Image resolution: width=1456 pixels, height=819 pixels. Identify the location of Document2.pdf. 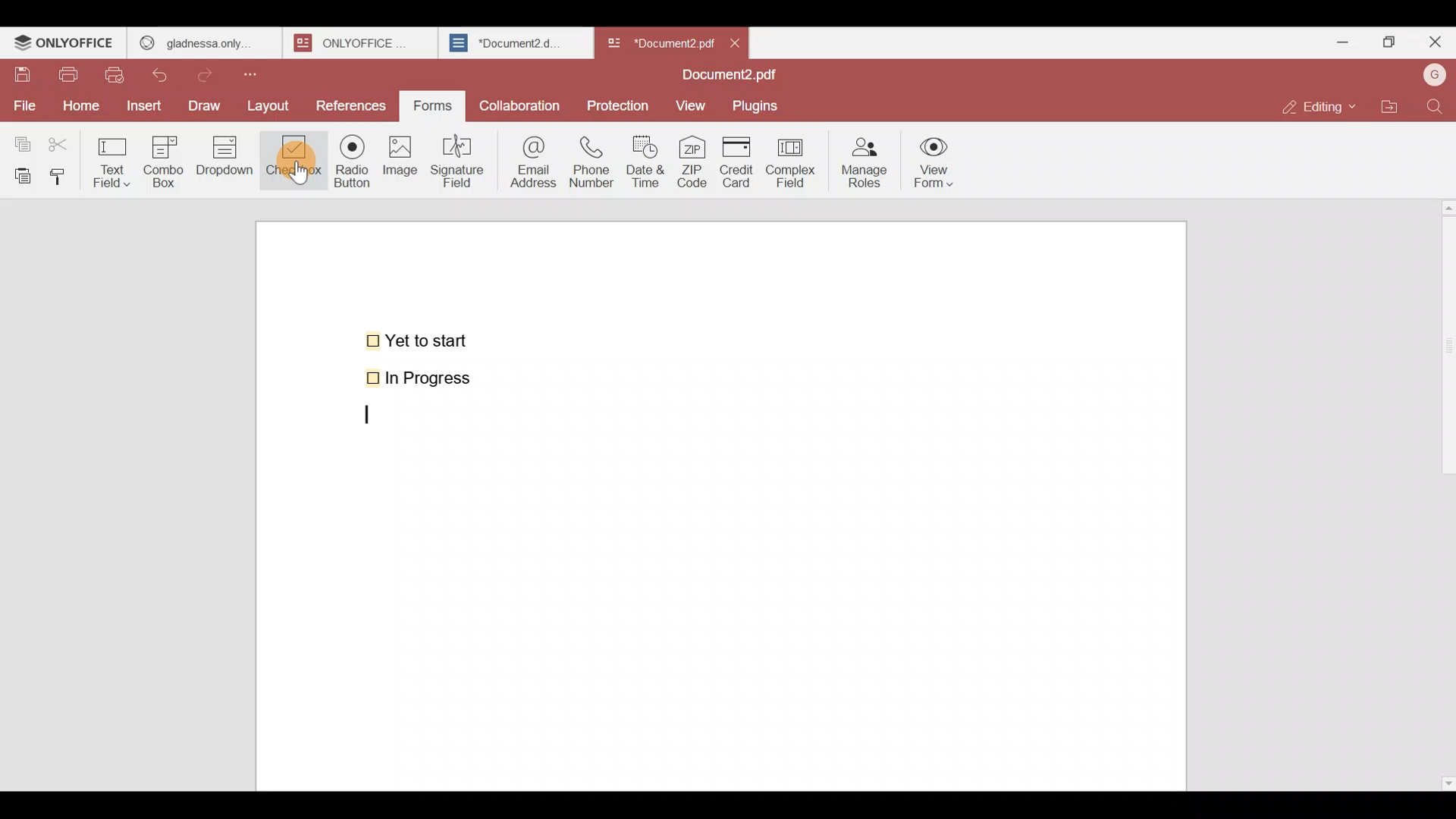
(725, 77).